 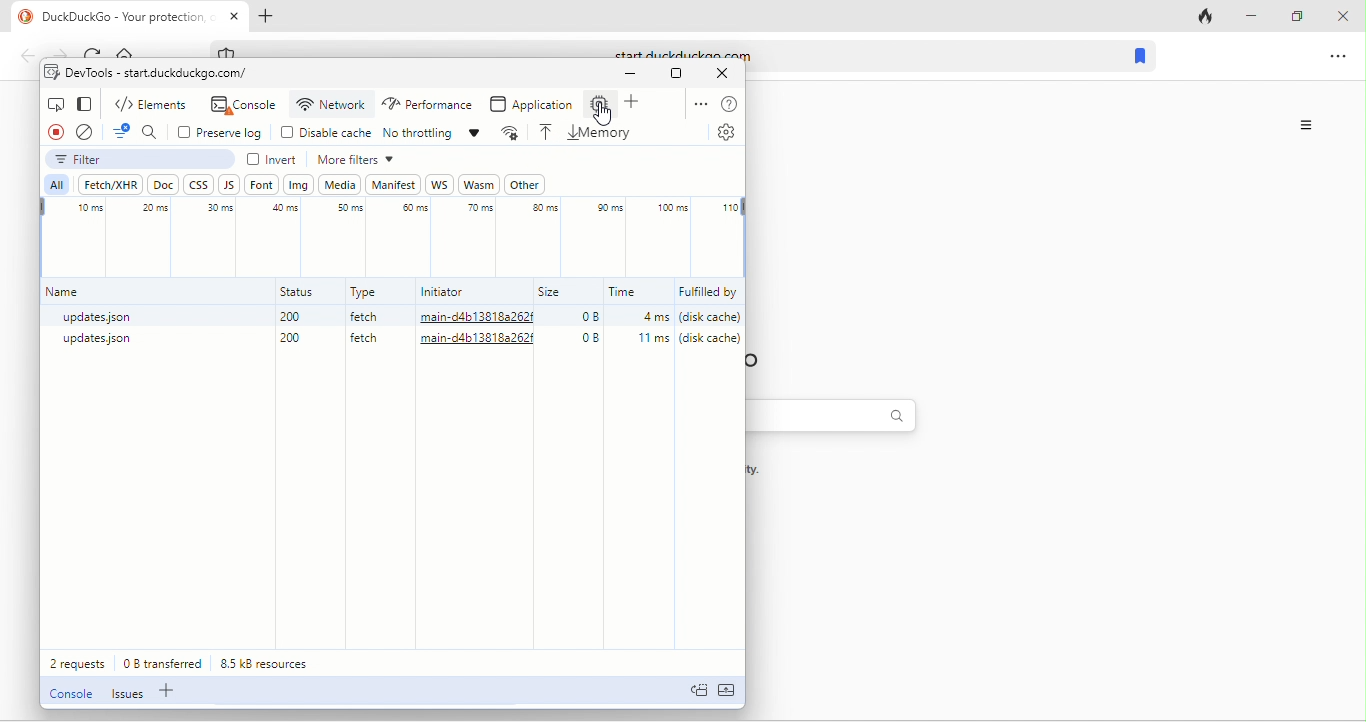 What do you see at coordinates (157, 74) in the screenshot?
I see `dev tools` at bounding box center [157, 74].